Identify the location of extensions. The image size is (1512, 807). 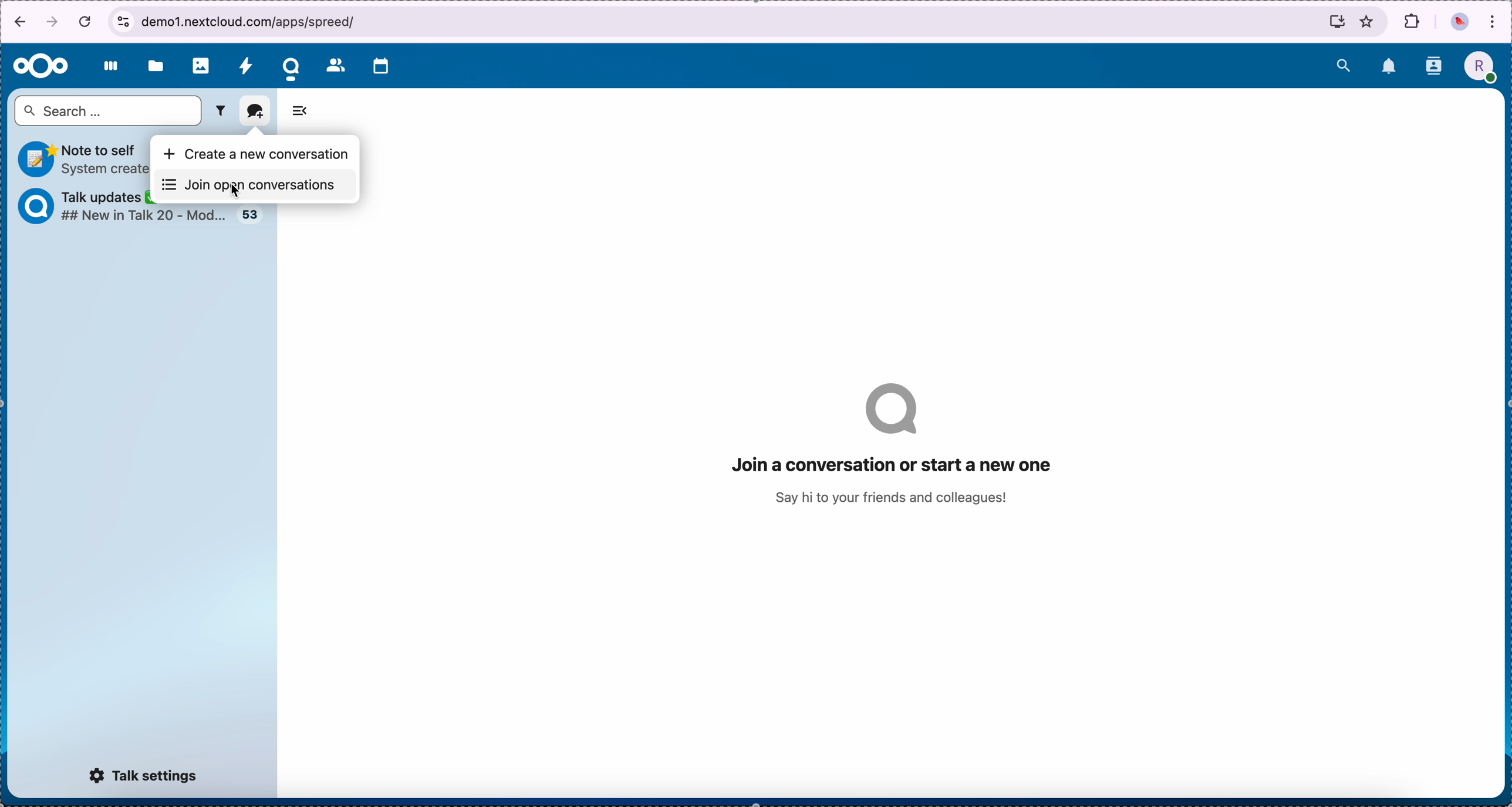
(1412, 18).